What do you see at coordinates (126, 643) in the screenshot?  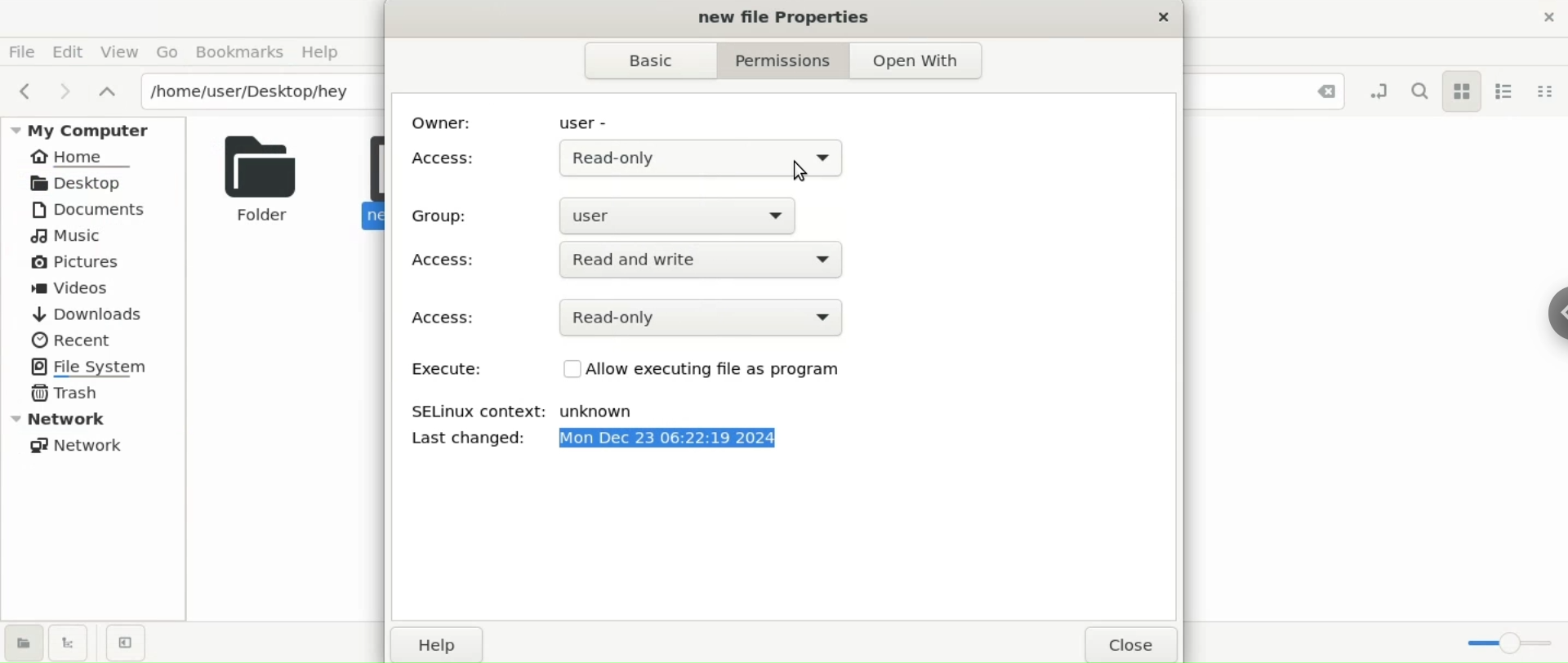 I see `close sidebar` at bounding box center [126, 643].